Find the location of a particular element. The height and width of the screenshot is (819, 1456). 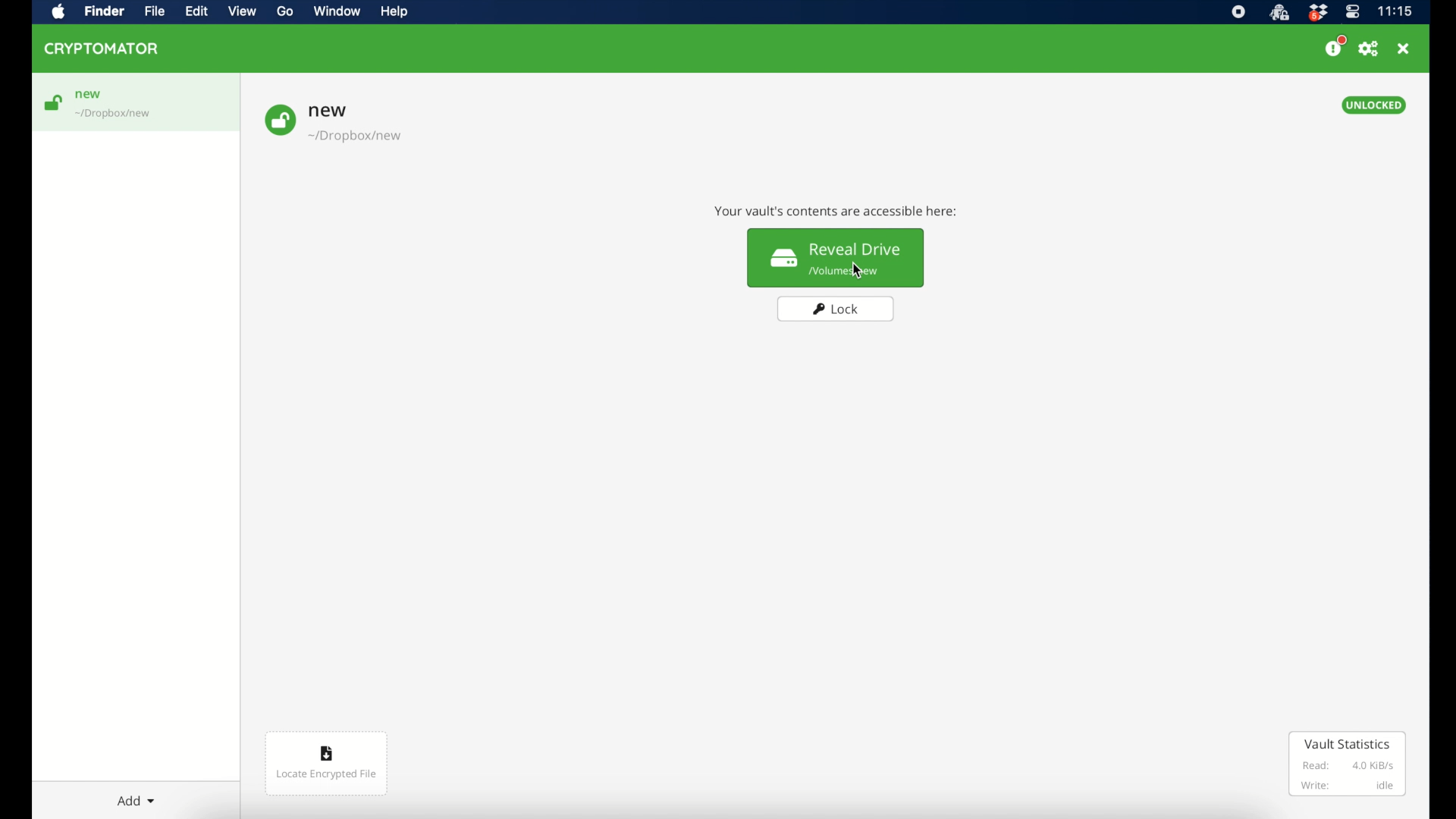

locate encrypted file is located at coordinates (327, 764).